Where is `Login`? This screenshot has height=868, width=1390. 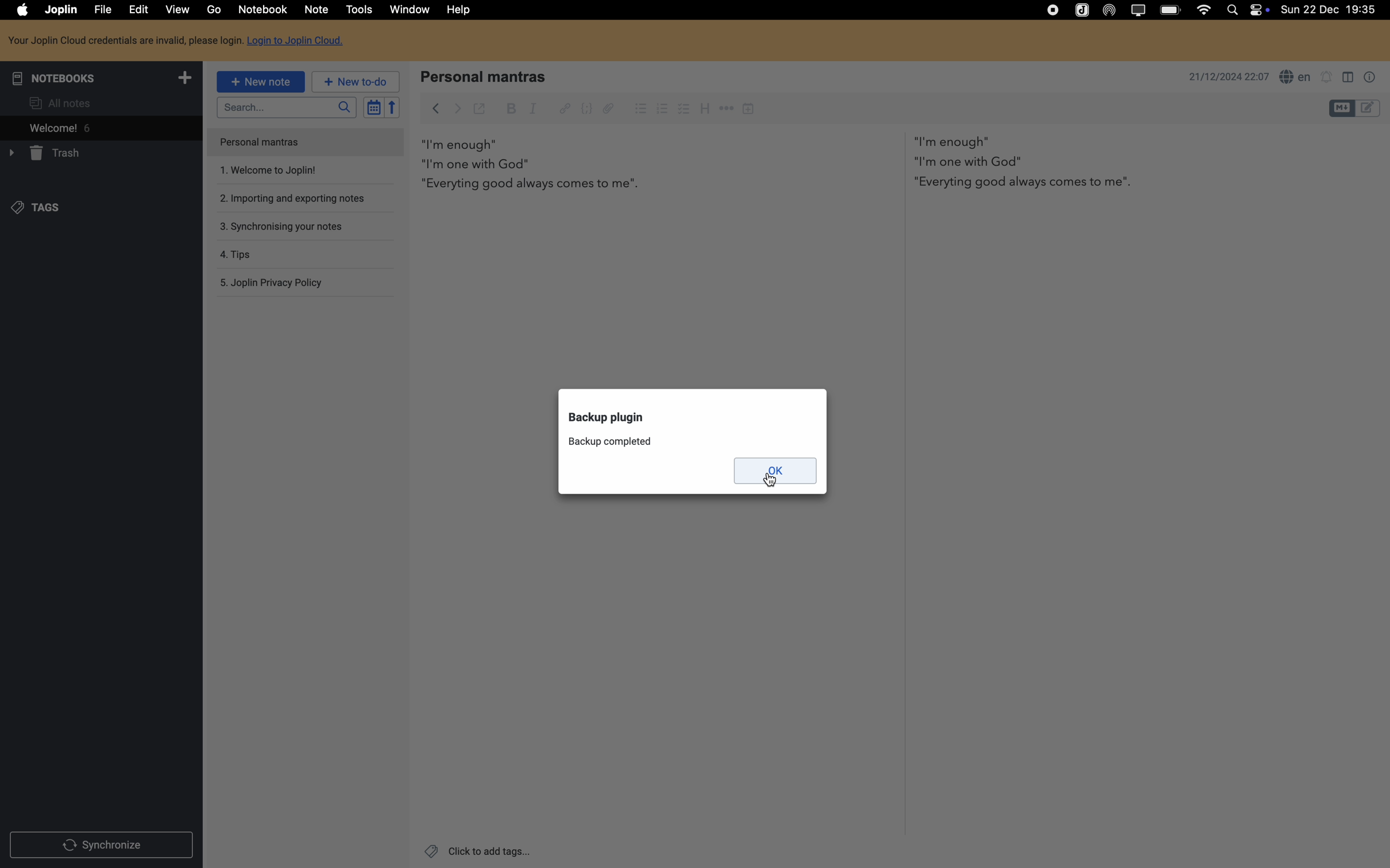
Login is located at coordinates (191, 41).